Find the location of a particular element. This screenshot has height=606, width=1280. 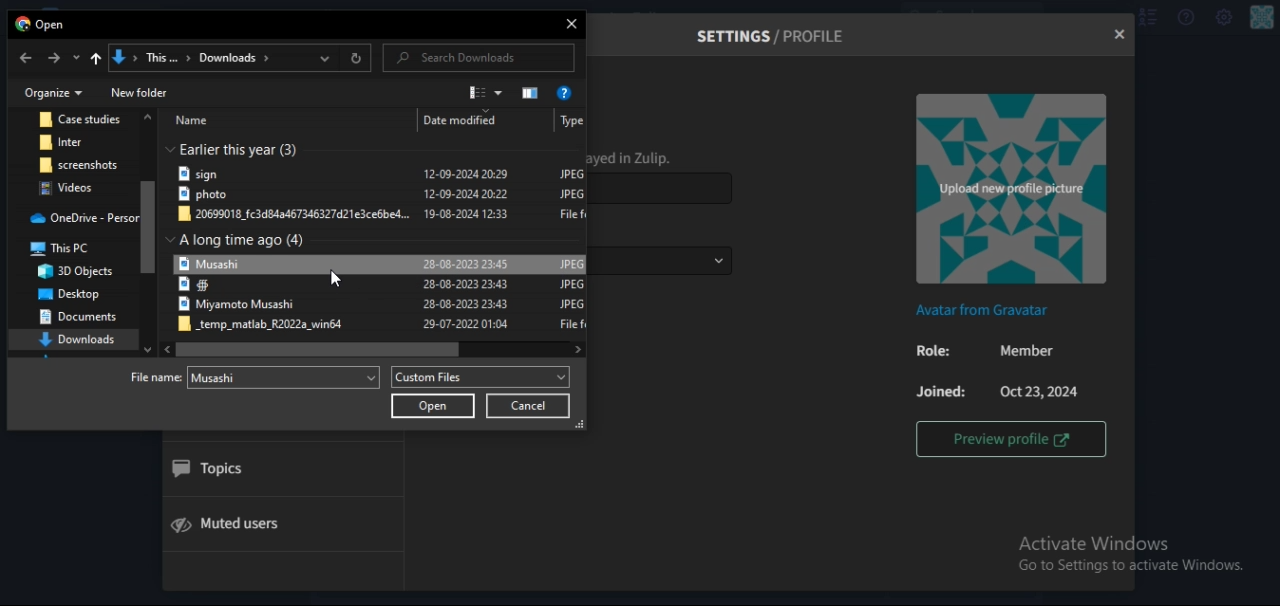

help is located at coordinates (1184, 18).